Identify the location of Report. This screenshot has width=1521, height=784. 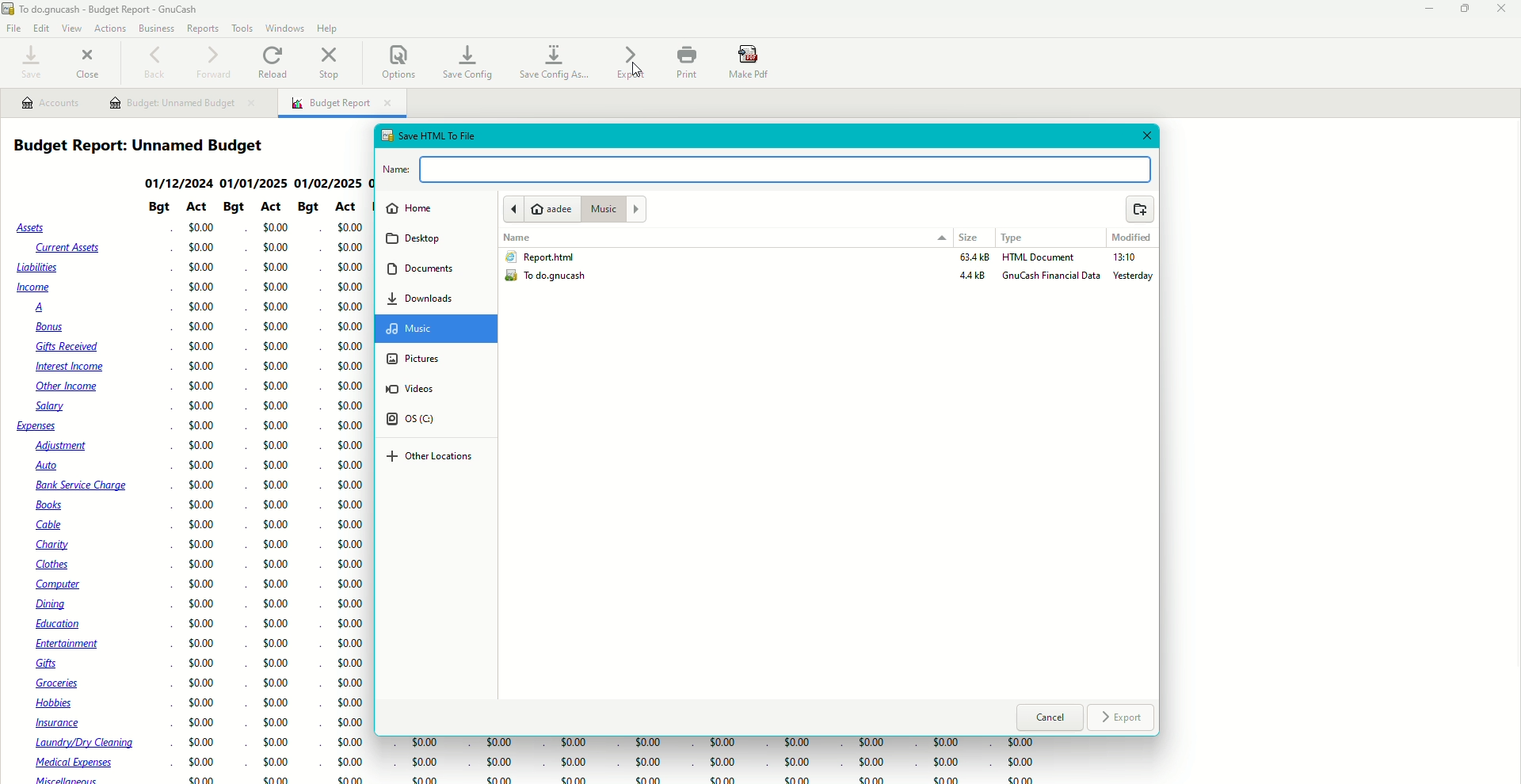
(539, 257).